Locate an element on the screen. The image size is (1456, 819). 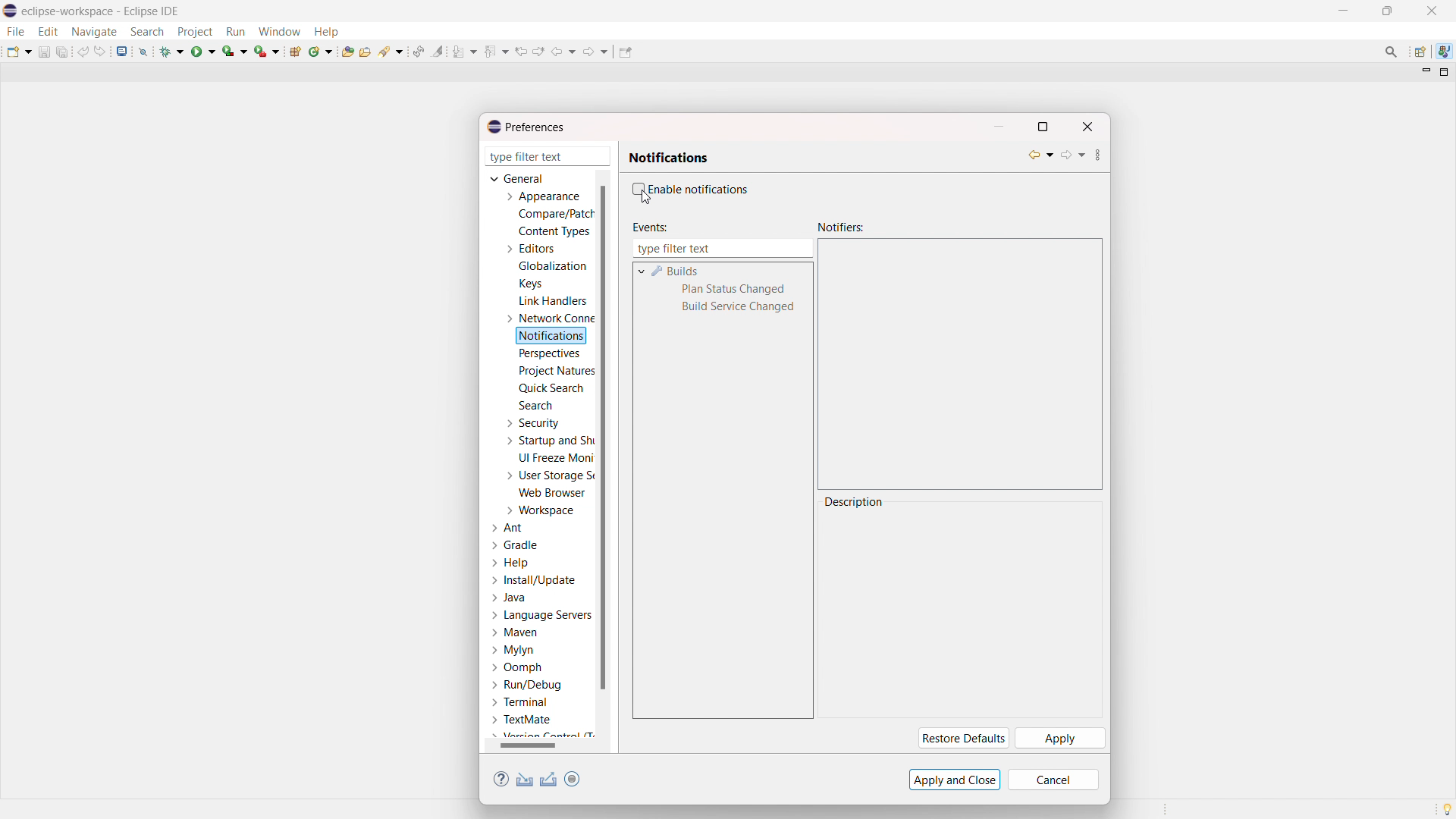
oomph is located at coordinates (516, 669).